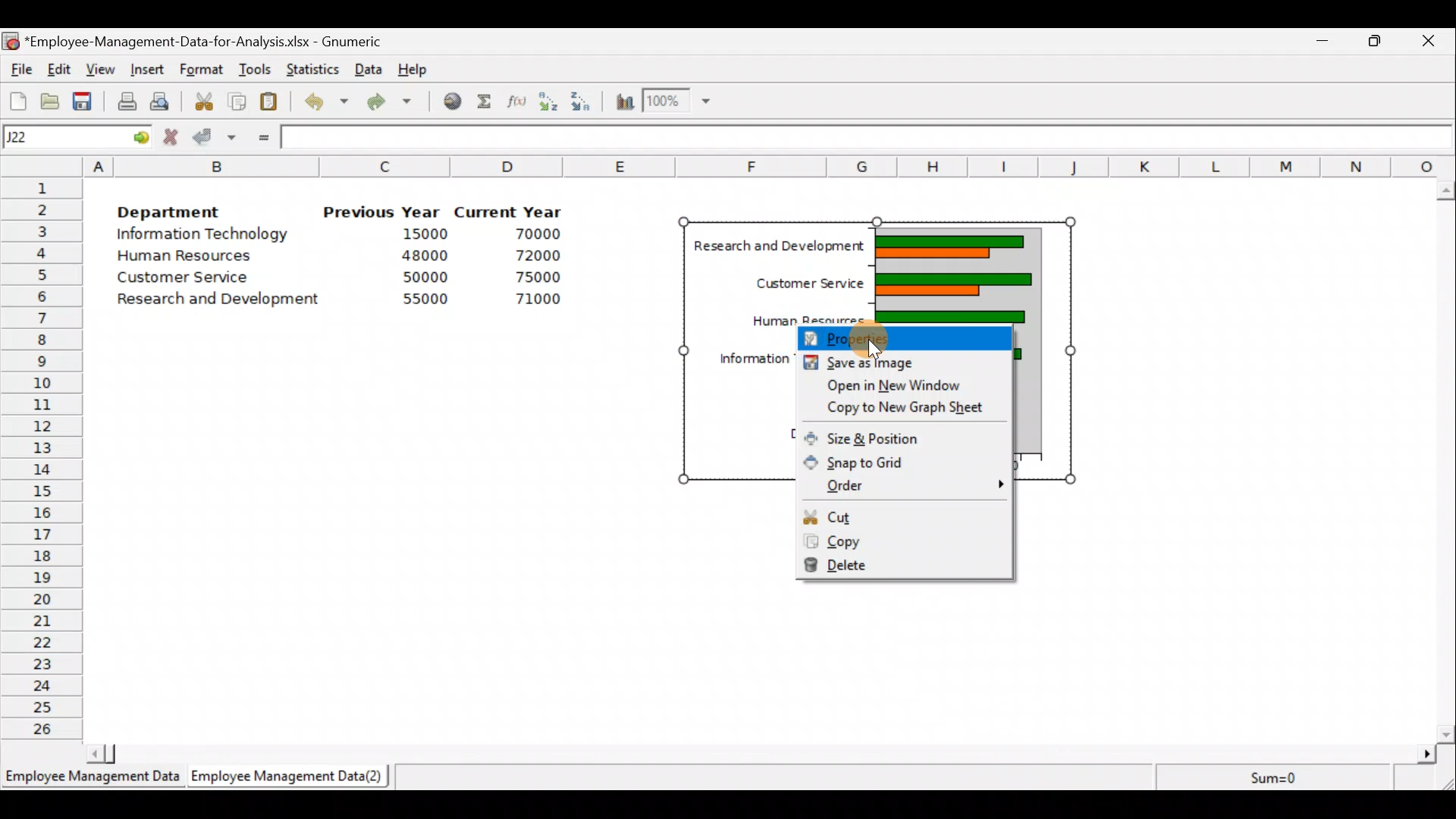  Describe the element at coordinates (215, 137) in the screenshot. I see `Accept change` at that location.